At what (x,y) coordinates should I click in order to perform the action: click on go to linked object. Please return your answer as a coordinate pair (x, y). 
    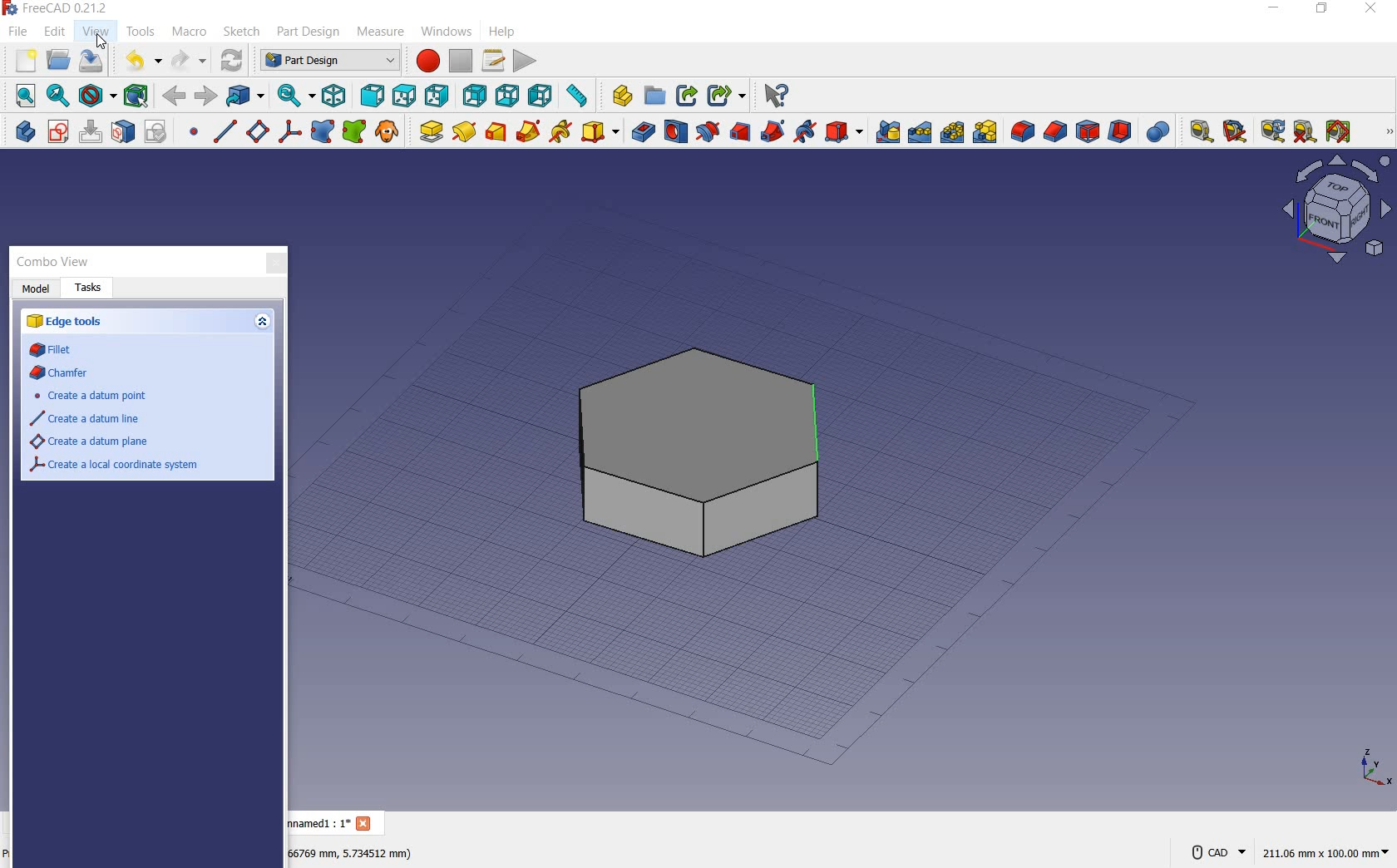
    Looking at the image, I should click on (247, 96).